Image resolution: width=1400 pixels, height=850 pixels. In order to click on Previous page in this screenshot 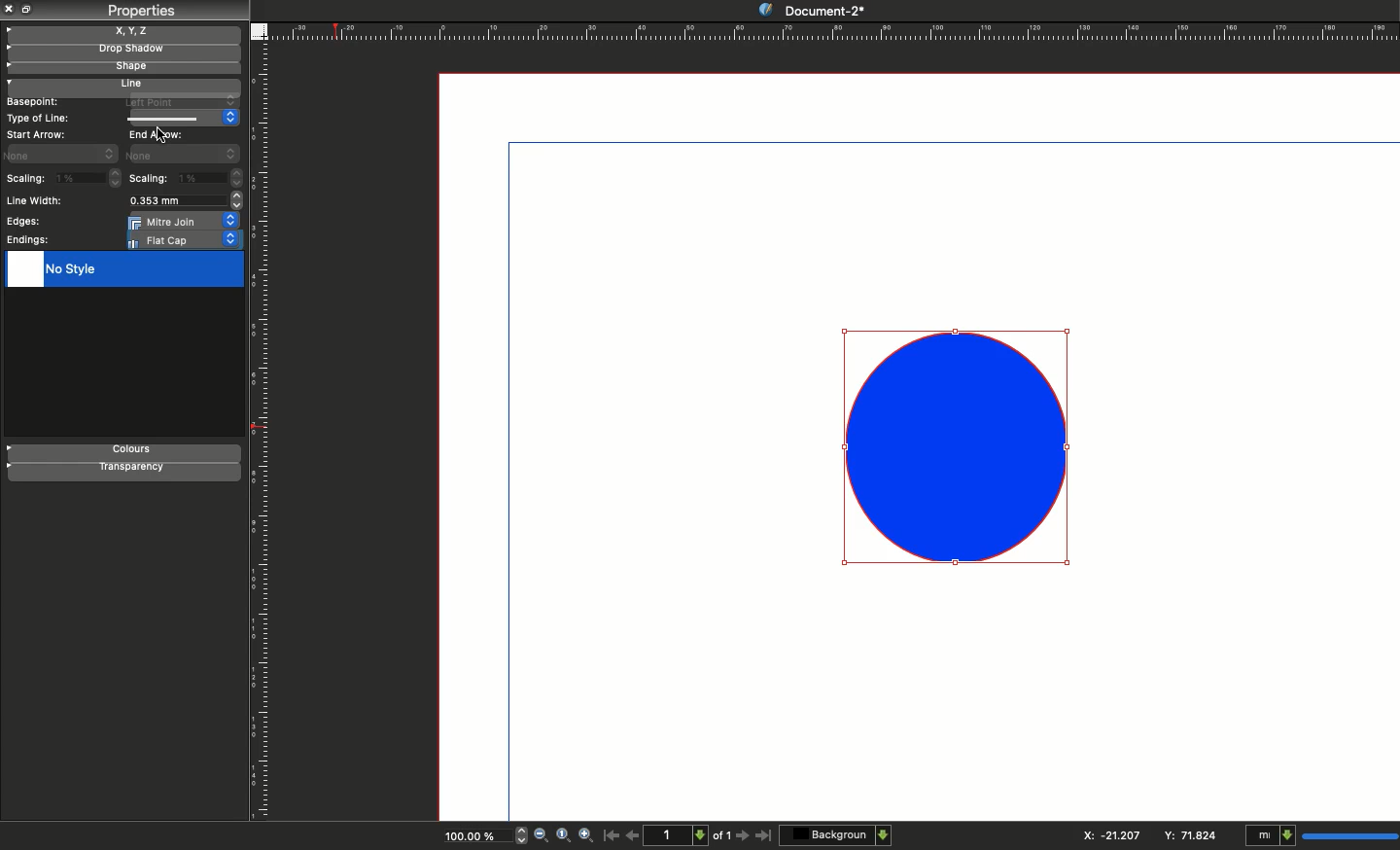, I will do `click(633, 834)`.